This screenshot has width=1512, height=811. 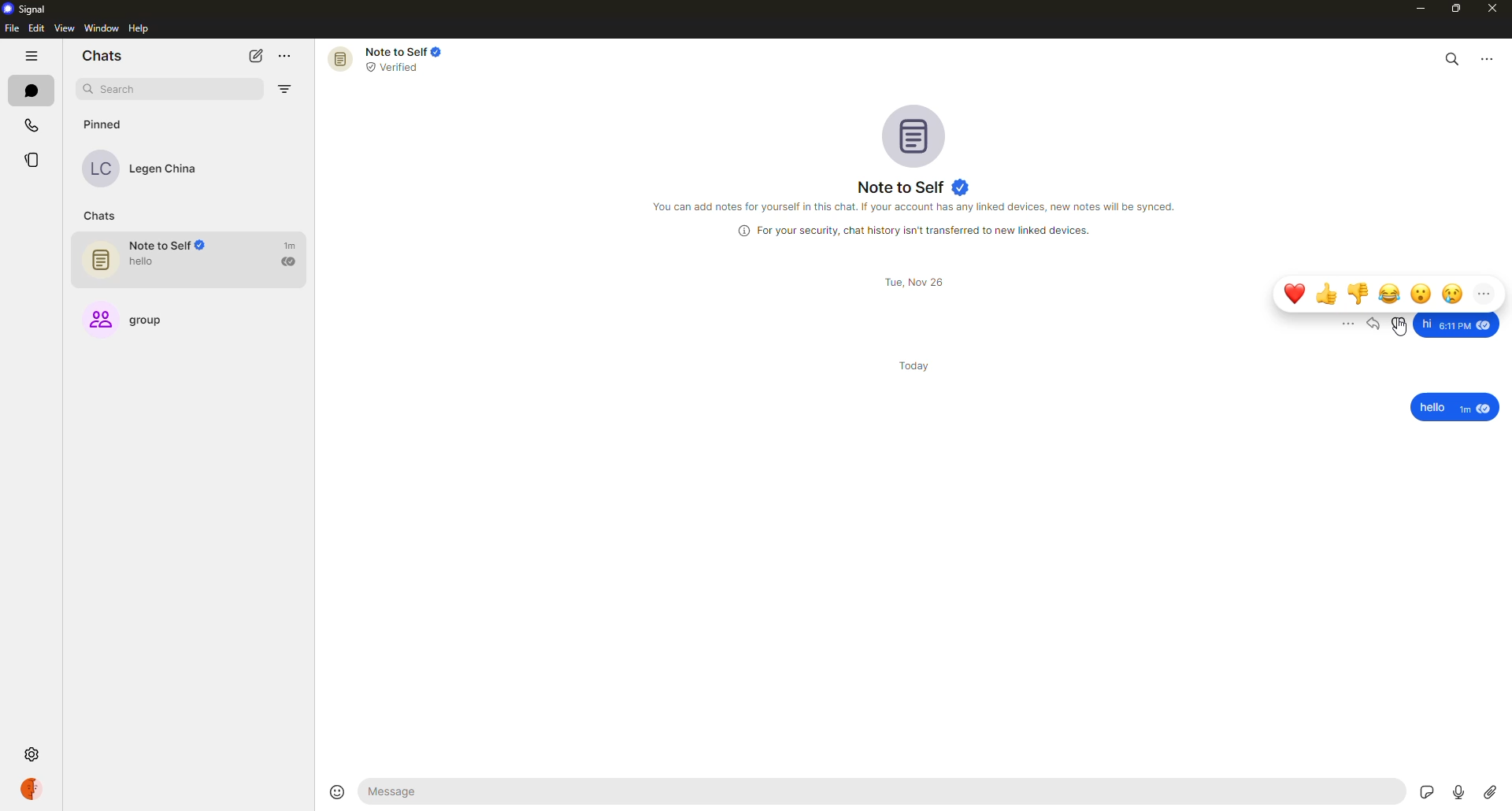 What do you see at coordinates (1376, 324) in the screenshot?
I see `reply` at bounding box center [1376, 324].